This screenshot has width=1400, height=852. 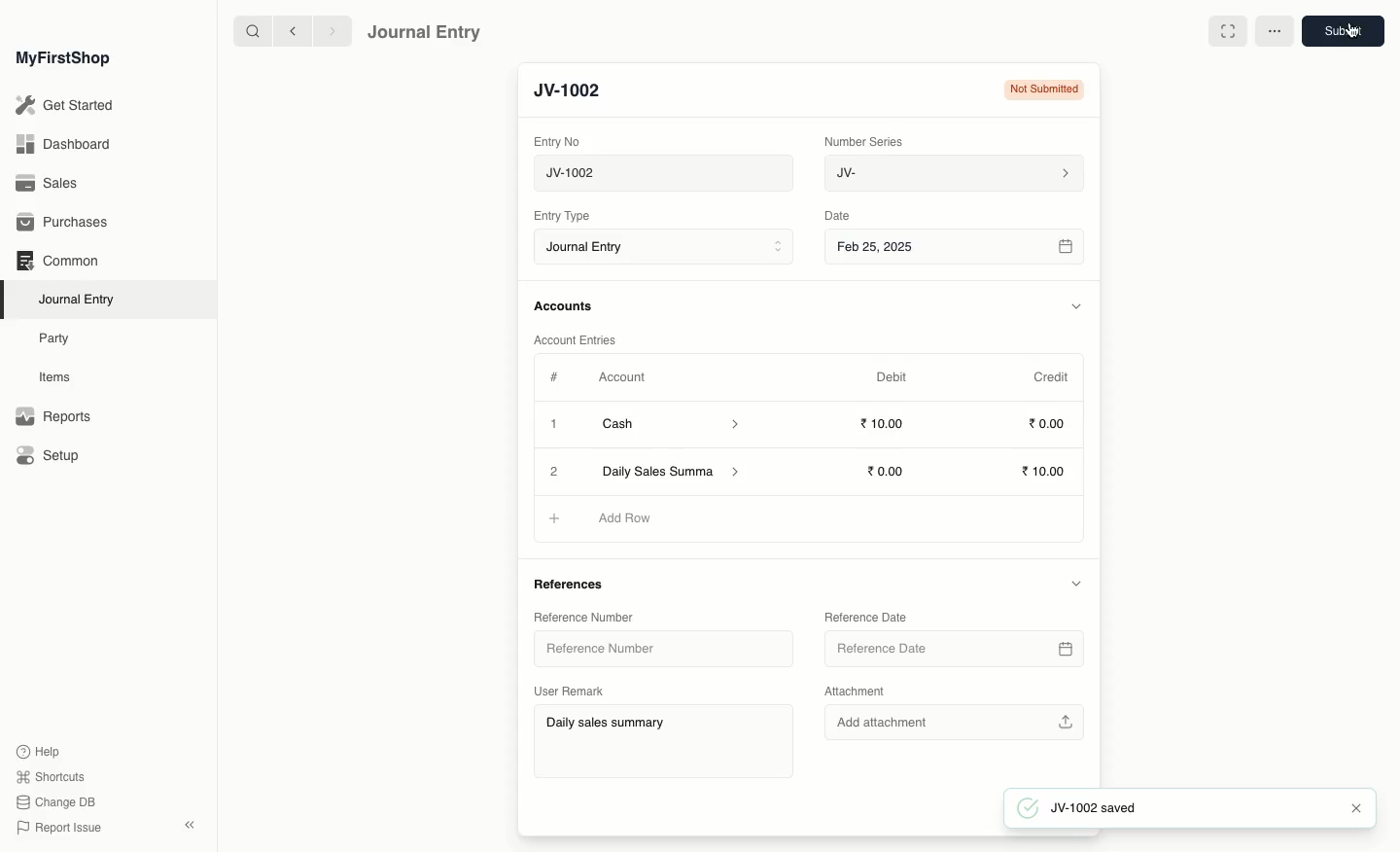 What do you see at coordinates (50, 457) in the screenshot?
I see `Setup` at bounding box center [50, 457].